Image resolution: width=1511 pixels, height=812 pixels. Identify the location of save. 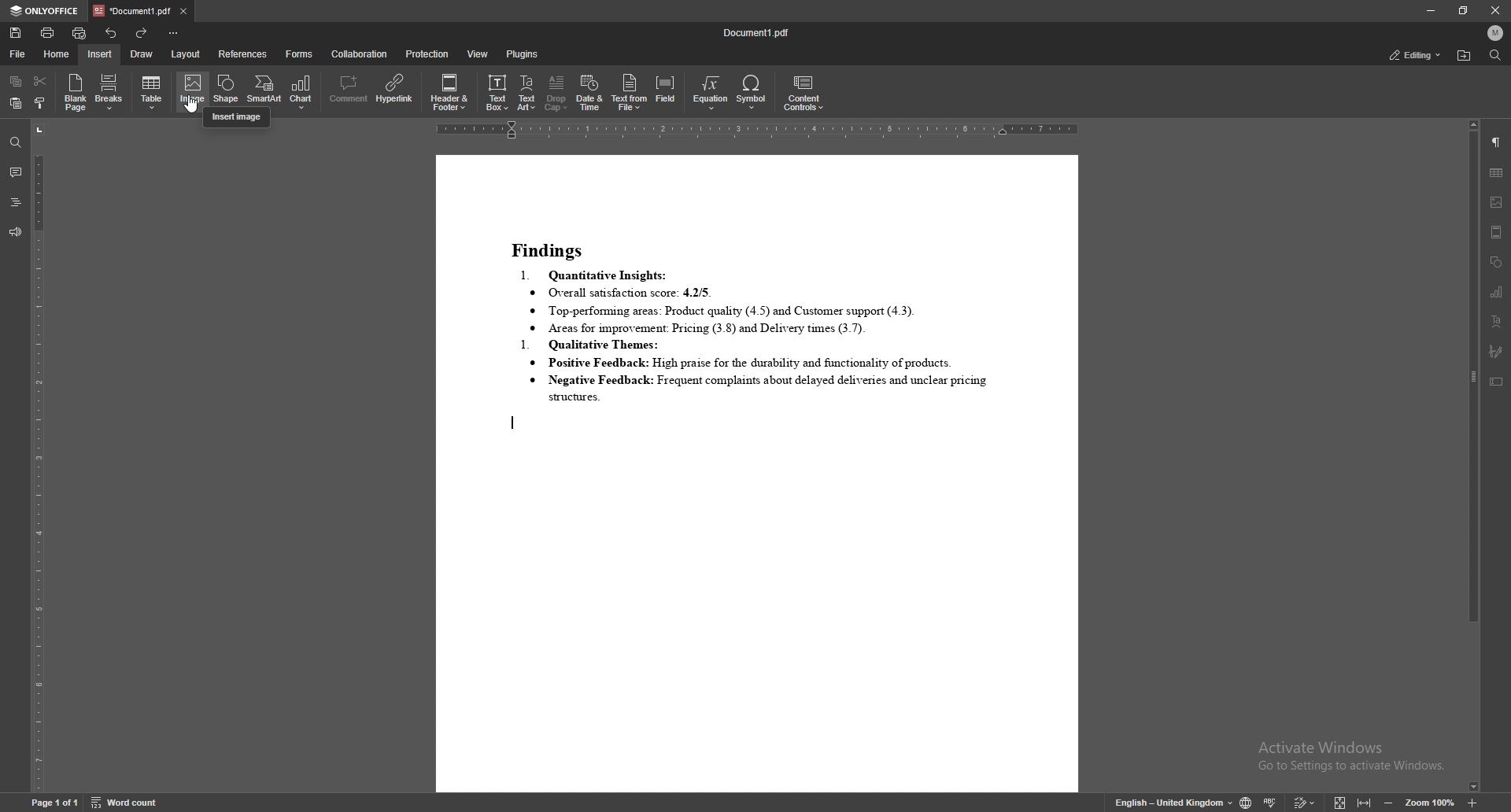
(17, 33).